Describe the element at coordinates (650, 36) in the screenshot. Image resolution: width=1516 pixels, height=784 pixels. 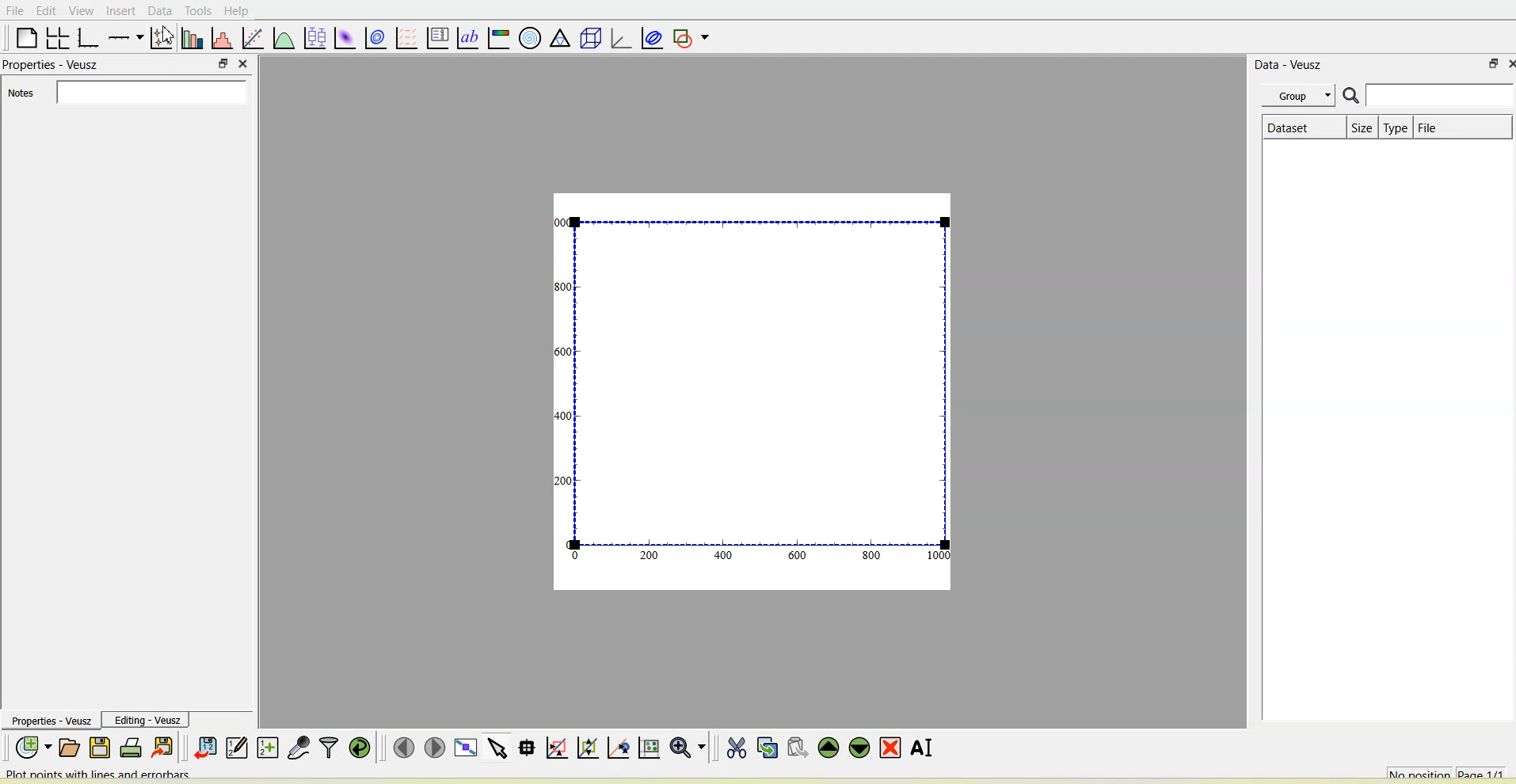
I see `Plot covariance ellipses` at that location.